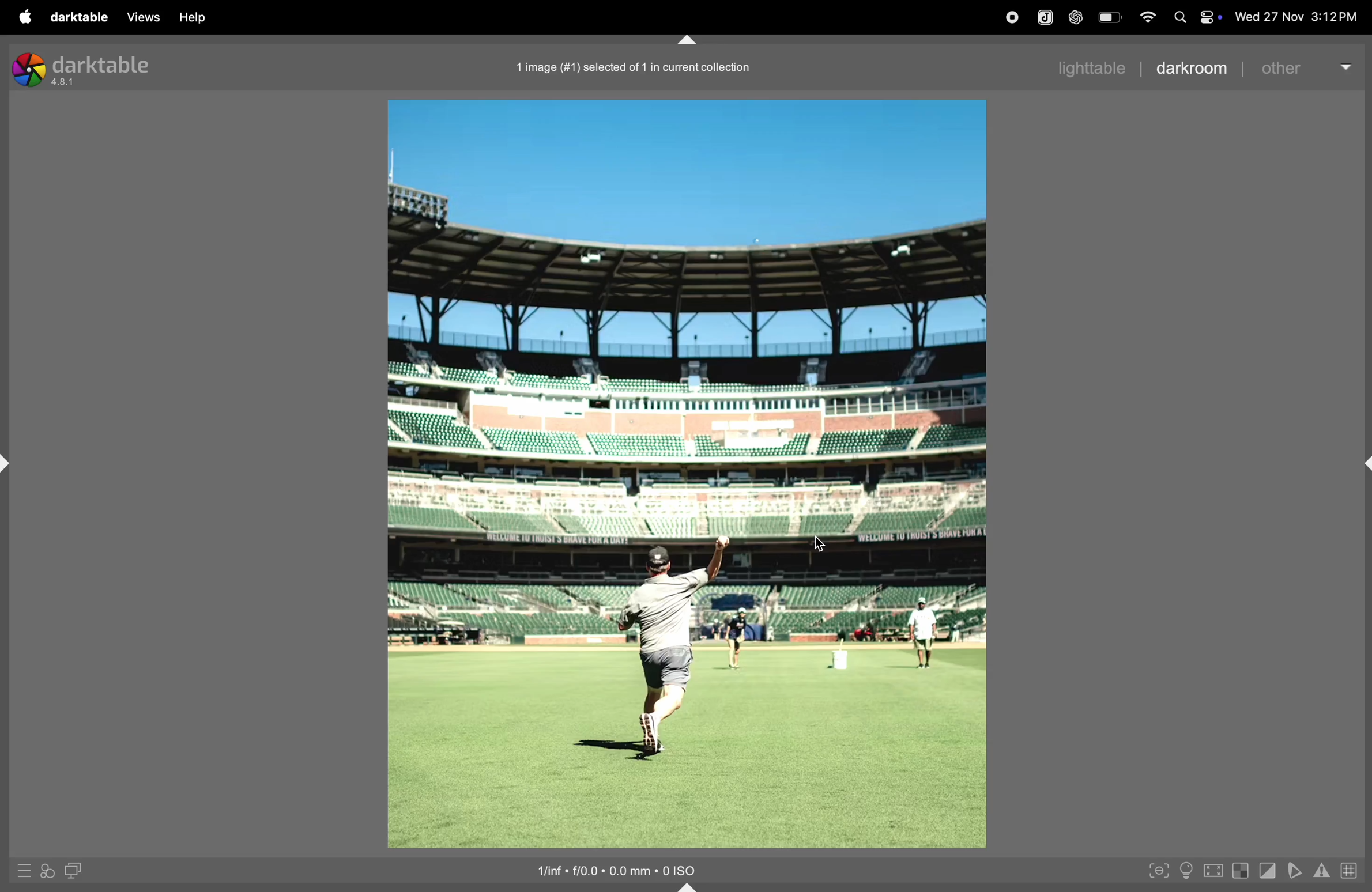 The height and width of the screenshot is (892, 1372). What do you see at coordinates (29, 18) in the screenshot?
I see `` at bounding box center [29, 18].